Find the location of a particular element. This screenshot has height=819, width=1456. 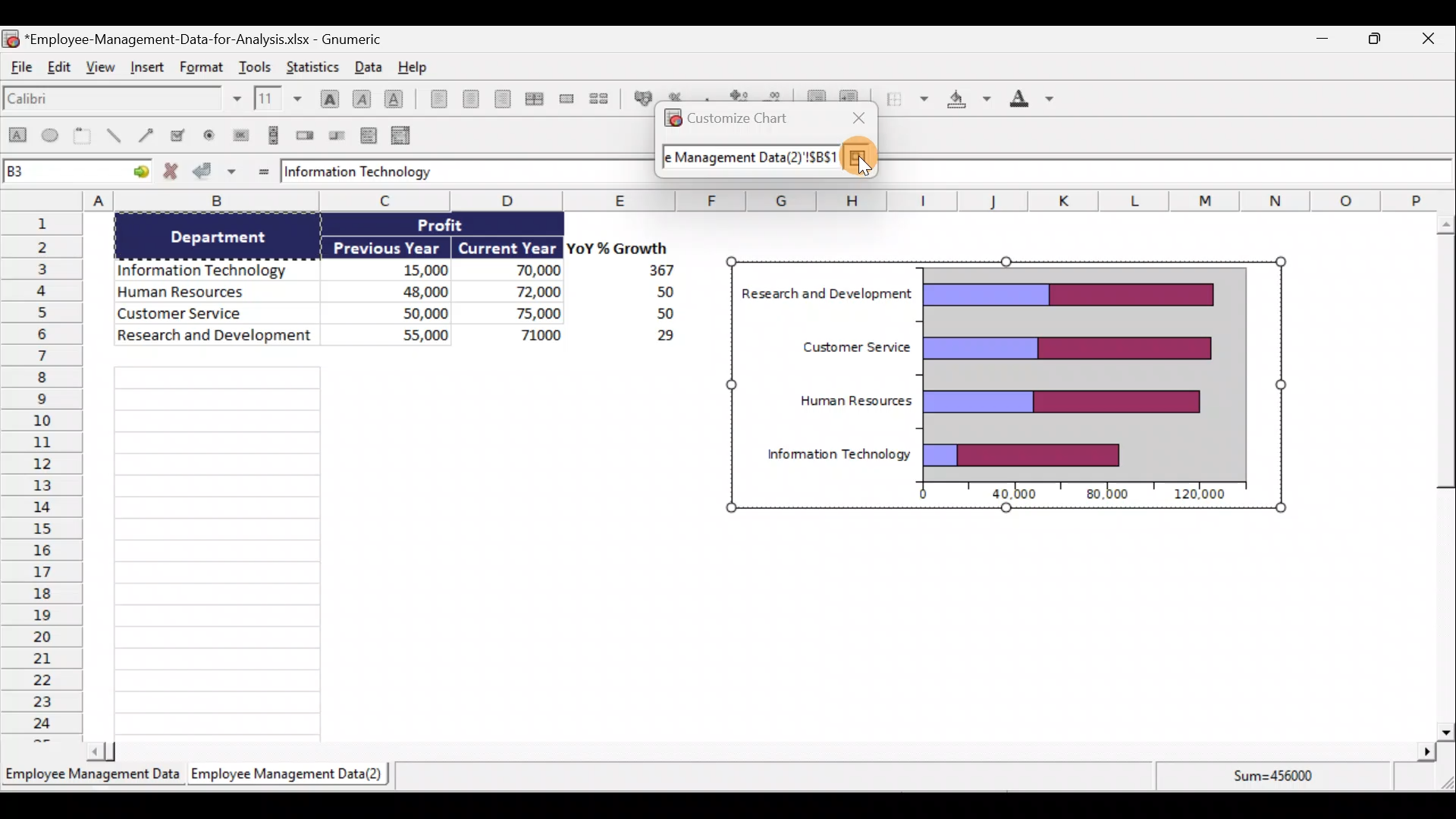

File is located at coordinates (21, 71).